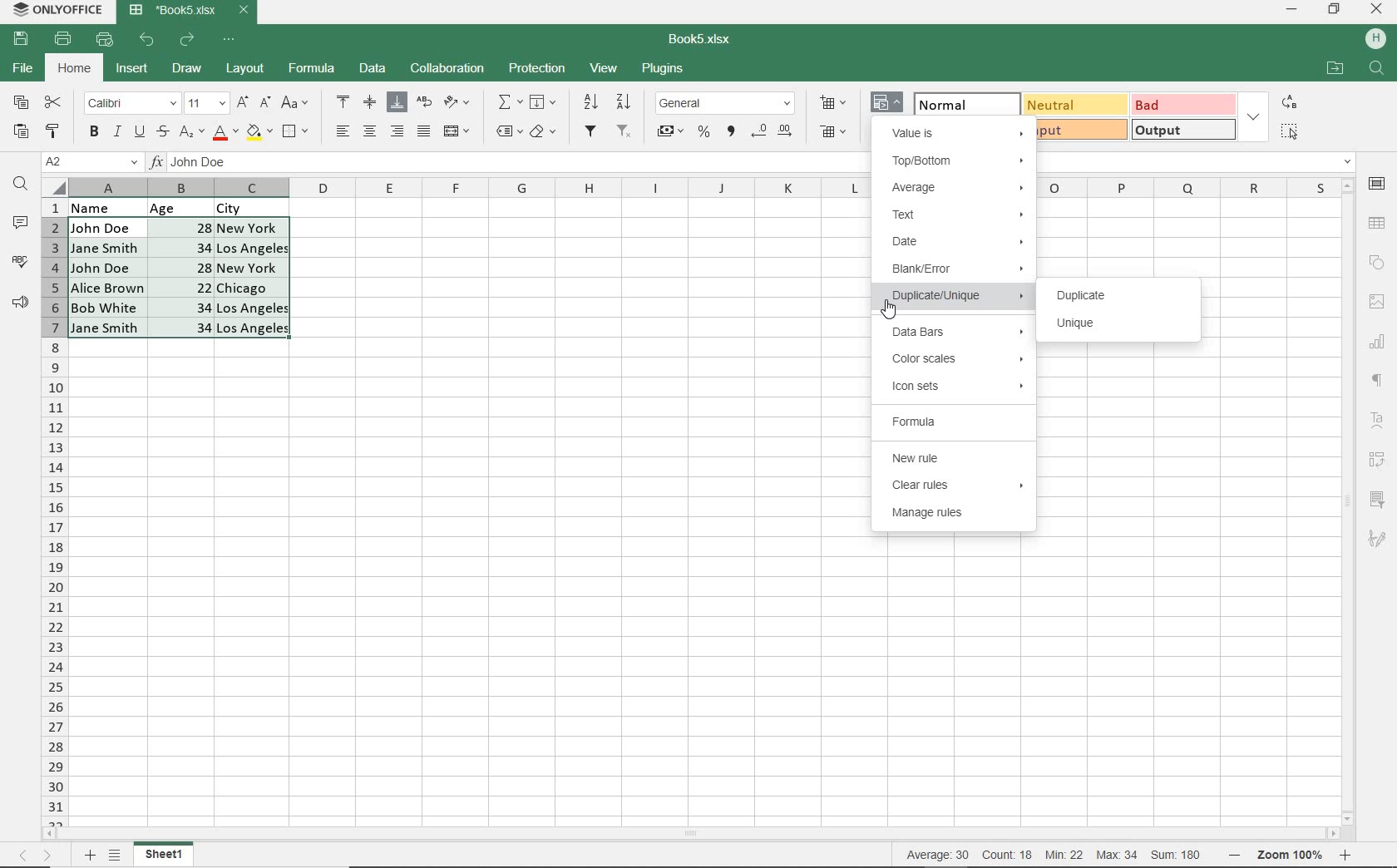 This screenshot has width=1397, height=868. Describe the element at coordinates (23, 37) in the screenshot. I see `SAVE` at that location.